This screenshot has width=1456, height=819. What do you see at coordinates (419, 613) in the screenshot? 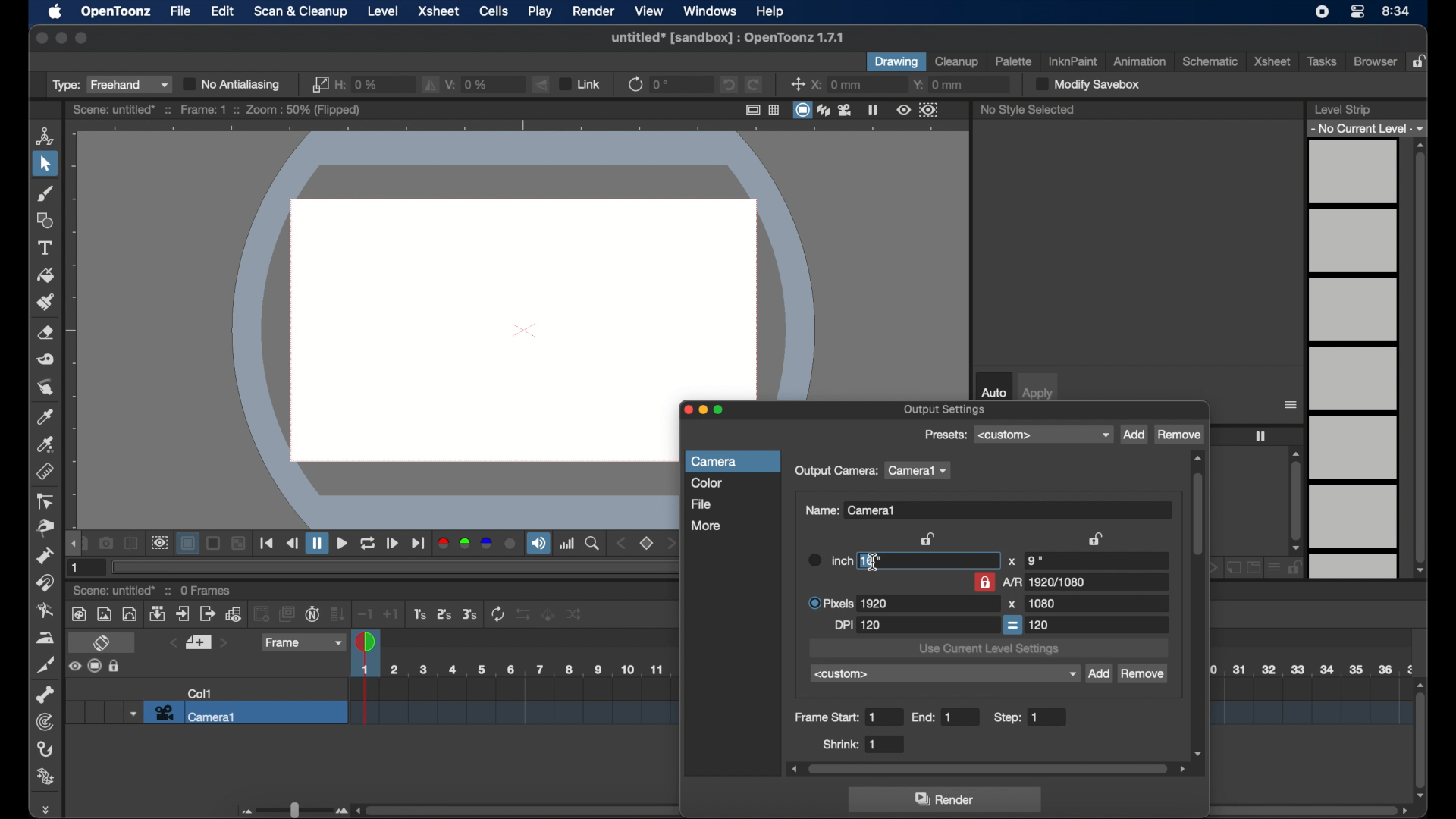
I see `` at bounding box center [419, 613].